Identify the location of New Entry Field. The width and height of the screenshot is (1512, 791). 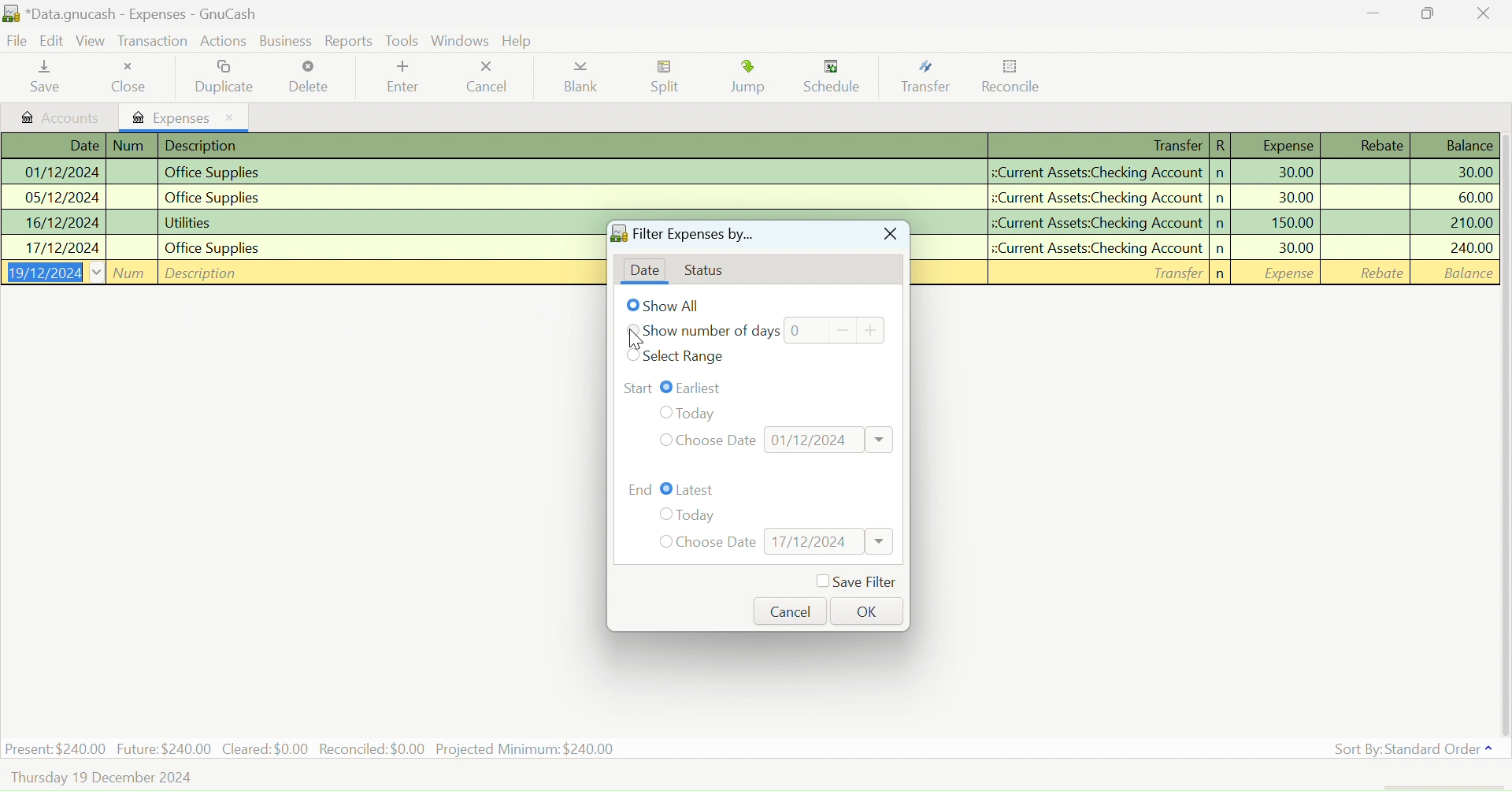
(1210, 272).